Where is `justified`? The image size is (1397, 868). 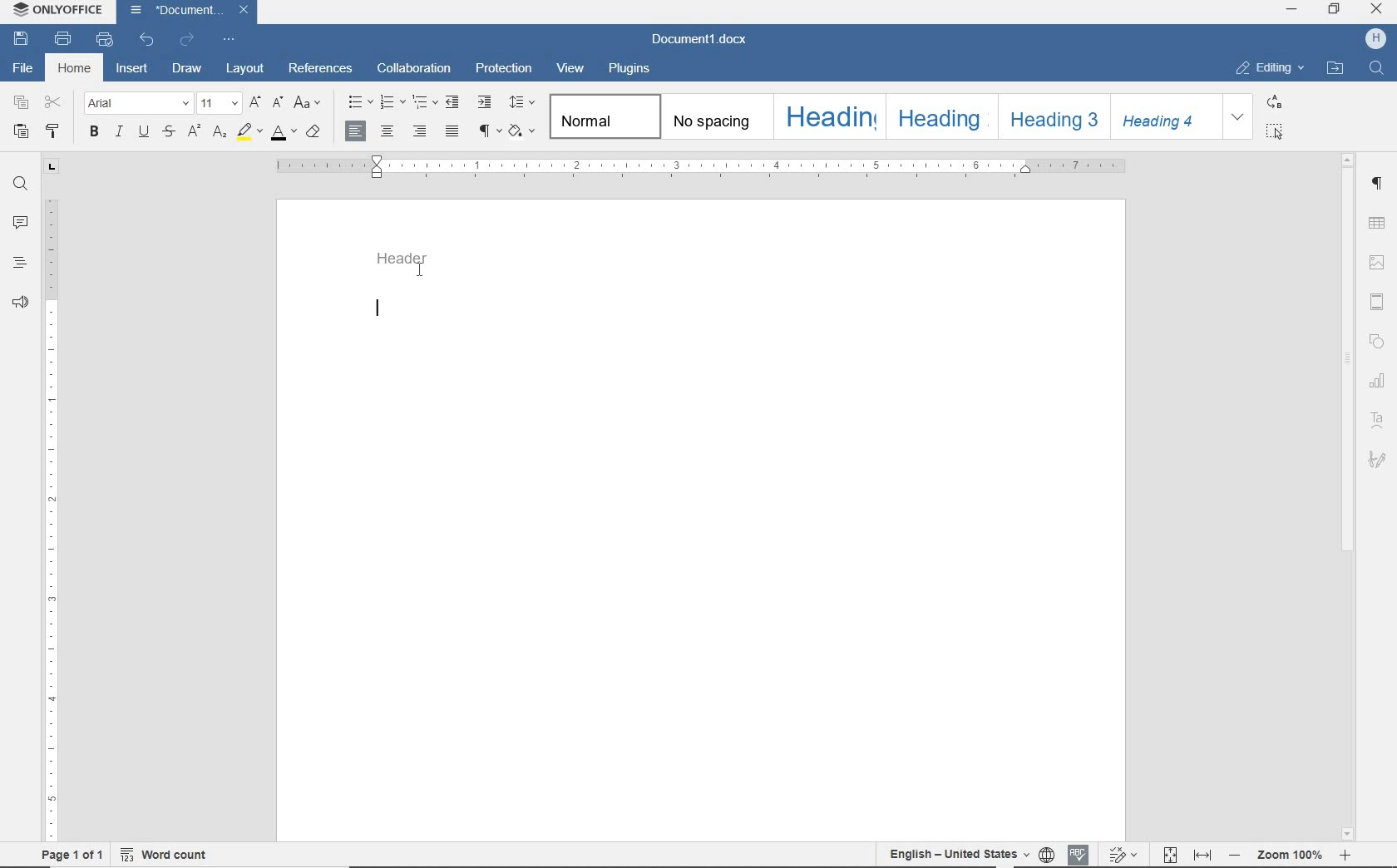 justified is located at coordinates (453, 132).